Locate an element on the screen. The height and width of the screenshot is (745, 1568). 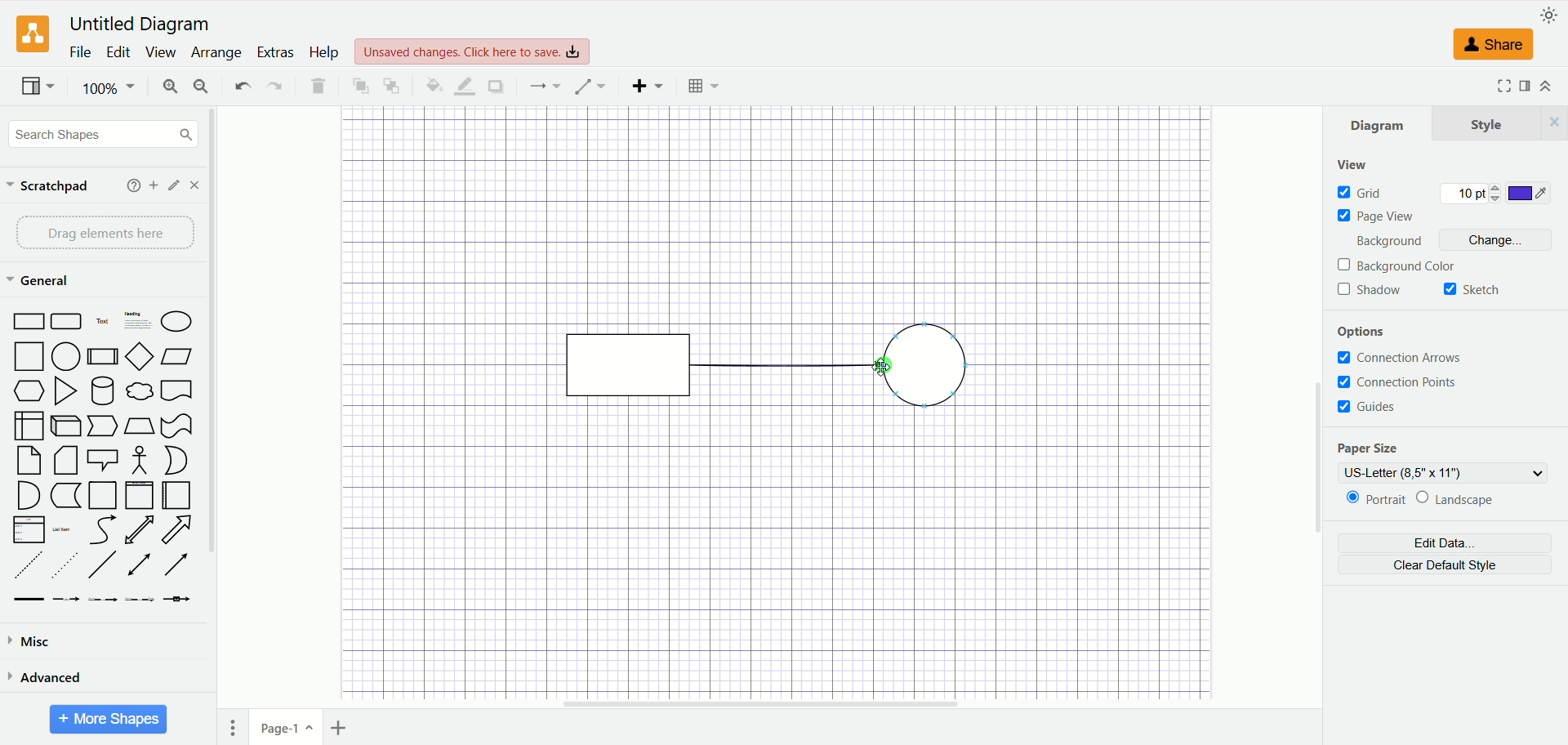
Text is located at coordinates (102, 321).